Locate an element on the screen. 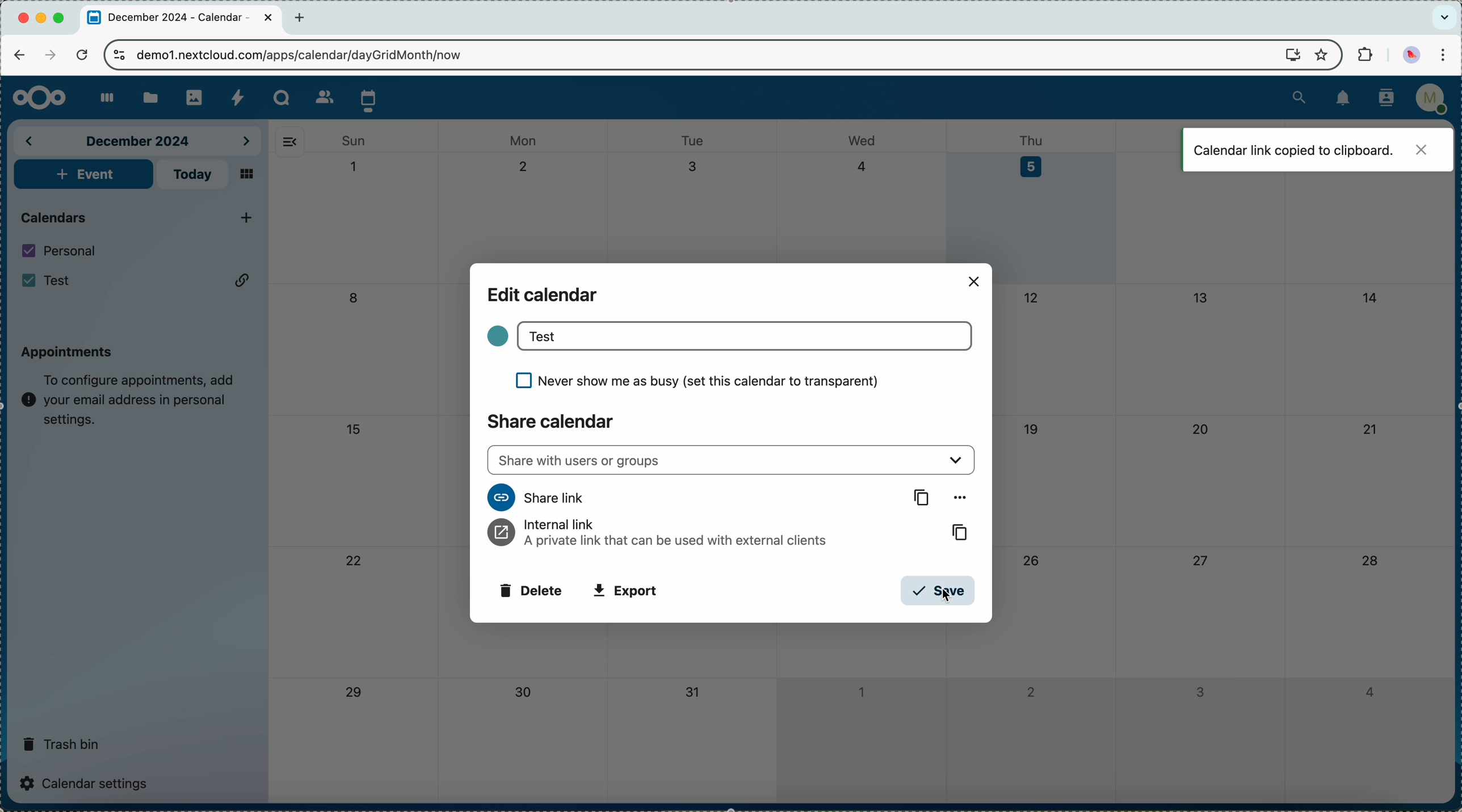 The width and height of the screenshot is (1462, 812). photos is located at coordinates (194, 94).